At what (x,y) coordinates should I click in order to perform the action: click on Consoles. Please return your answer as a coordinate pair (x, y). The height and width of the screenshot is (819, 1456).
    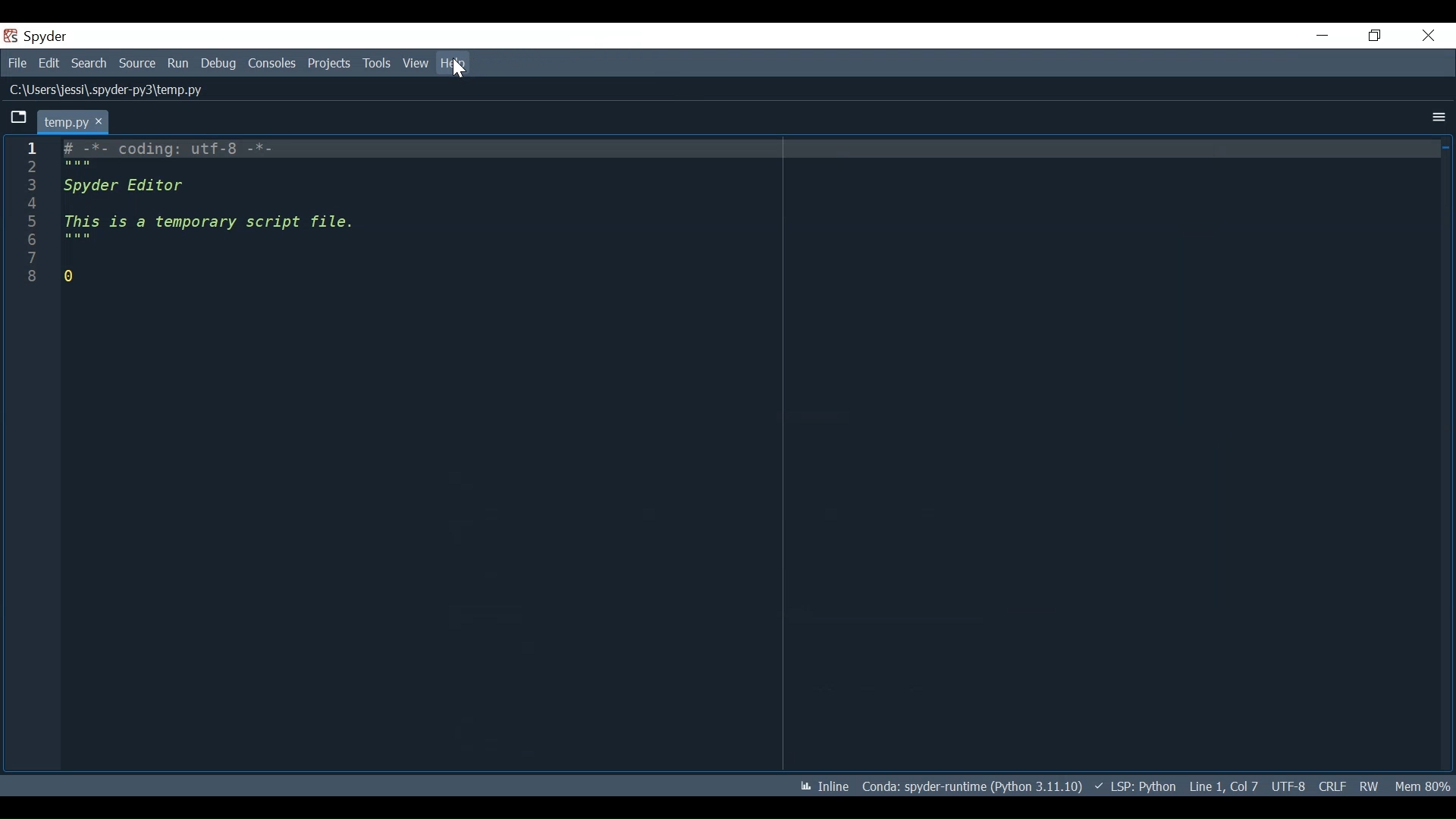
    Looking at the image, I should click on (271, 64).